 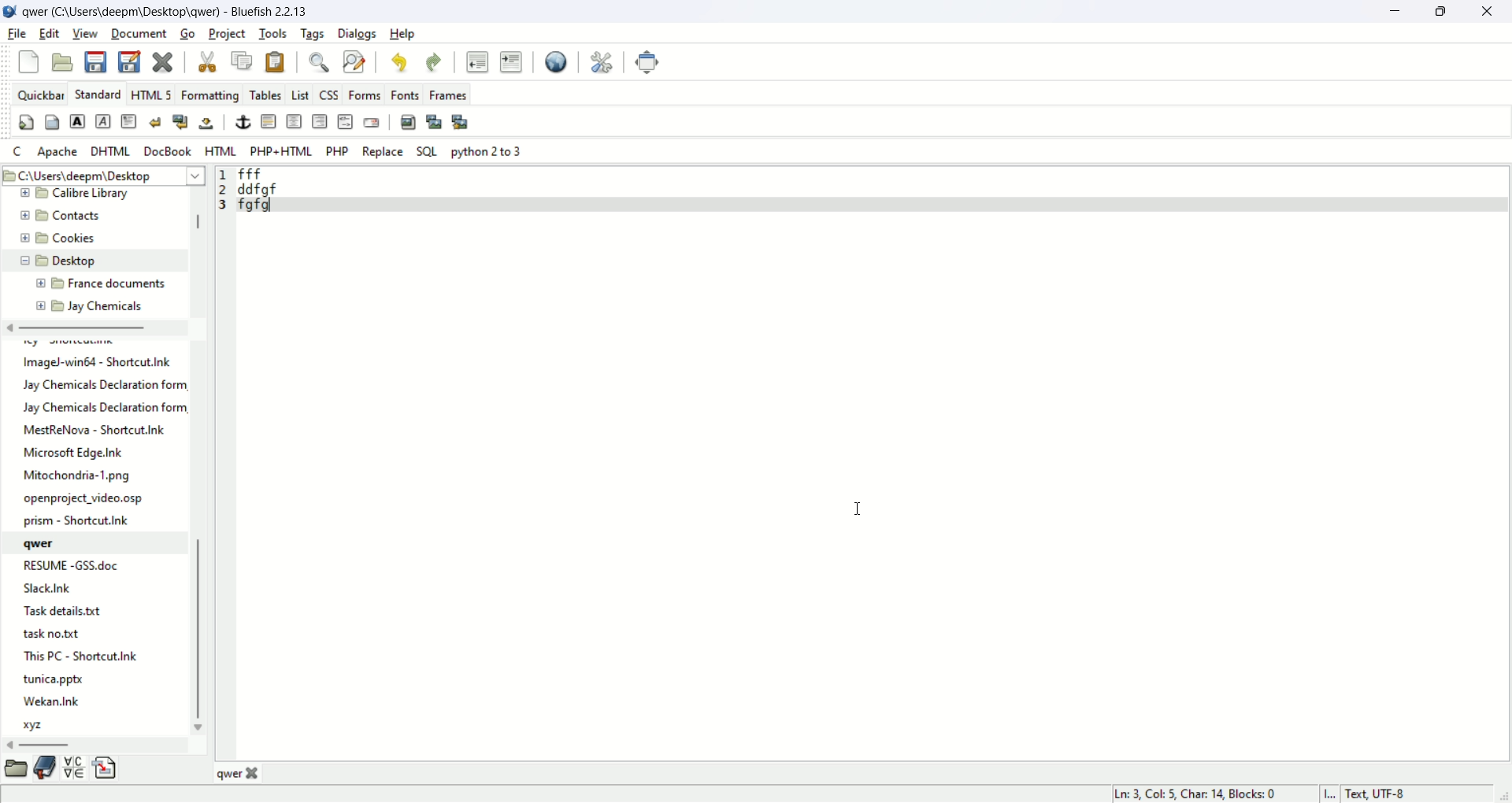 I want to click on preview in browser, so click(x=558, y=61).